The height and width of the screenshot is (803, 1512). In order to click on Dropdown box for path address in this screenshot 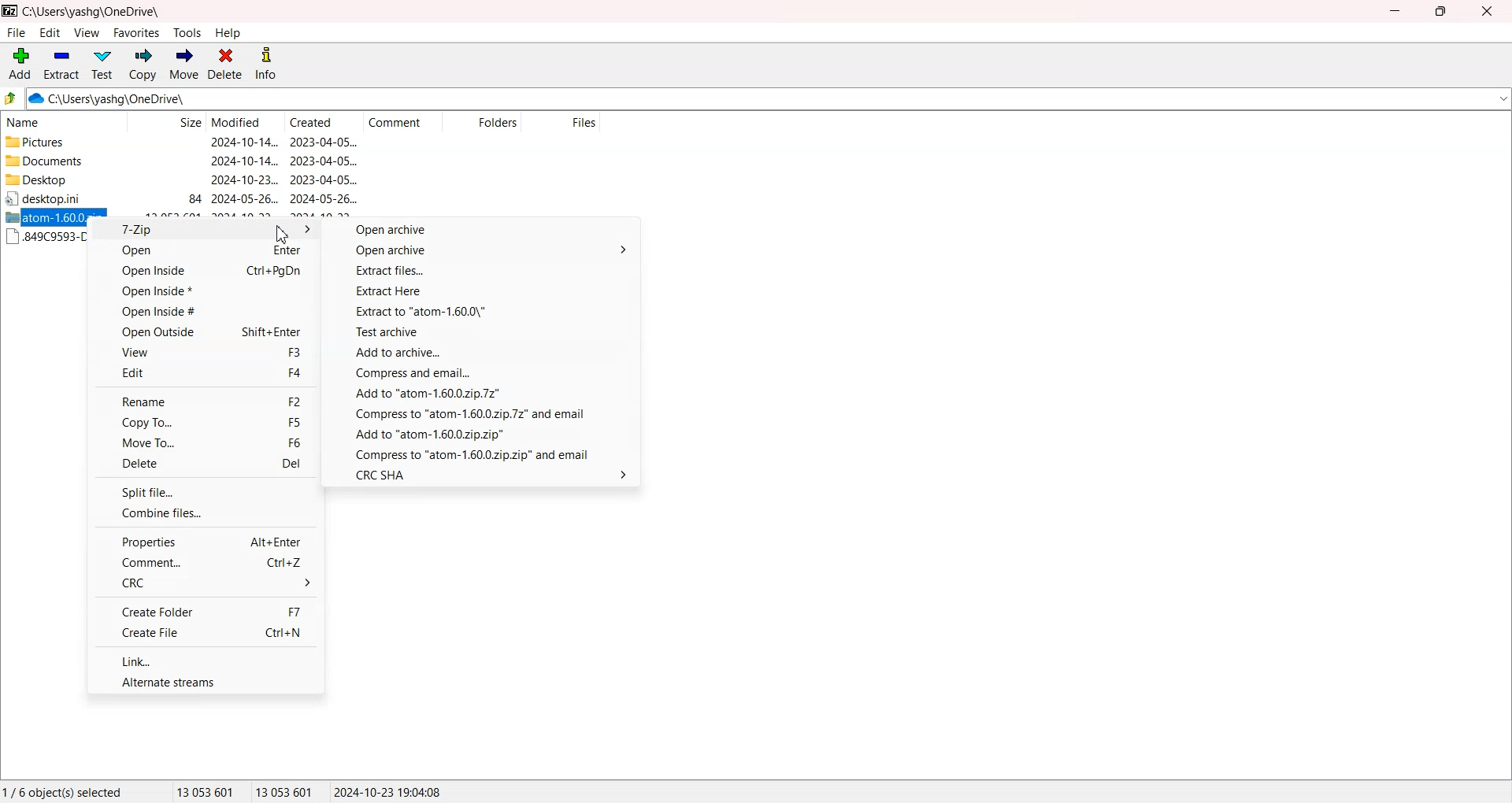, I will do `click(1502, 99)`.